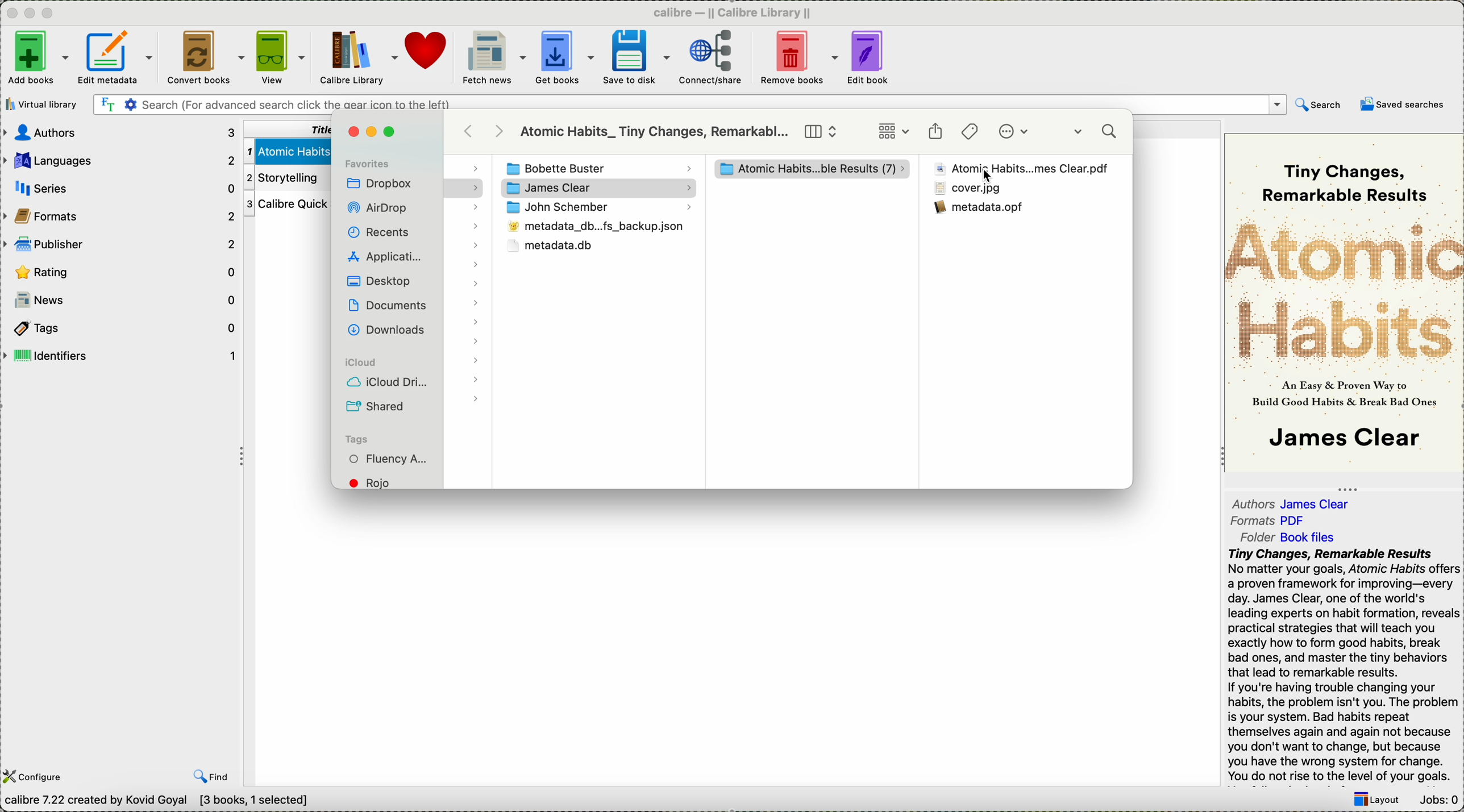  Describe the element at coordinates (971, 131) in the screenshot. I see `tags` at that location.